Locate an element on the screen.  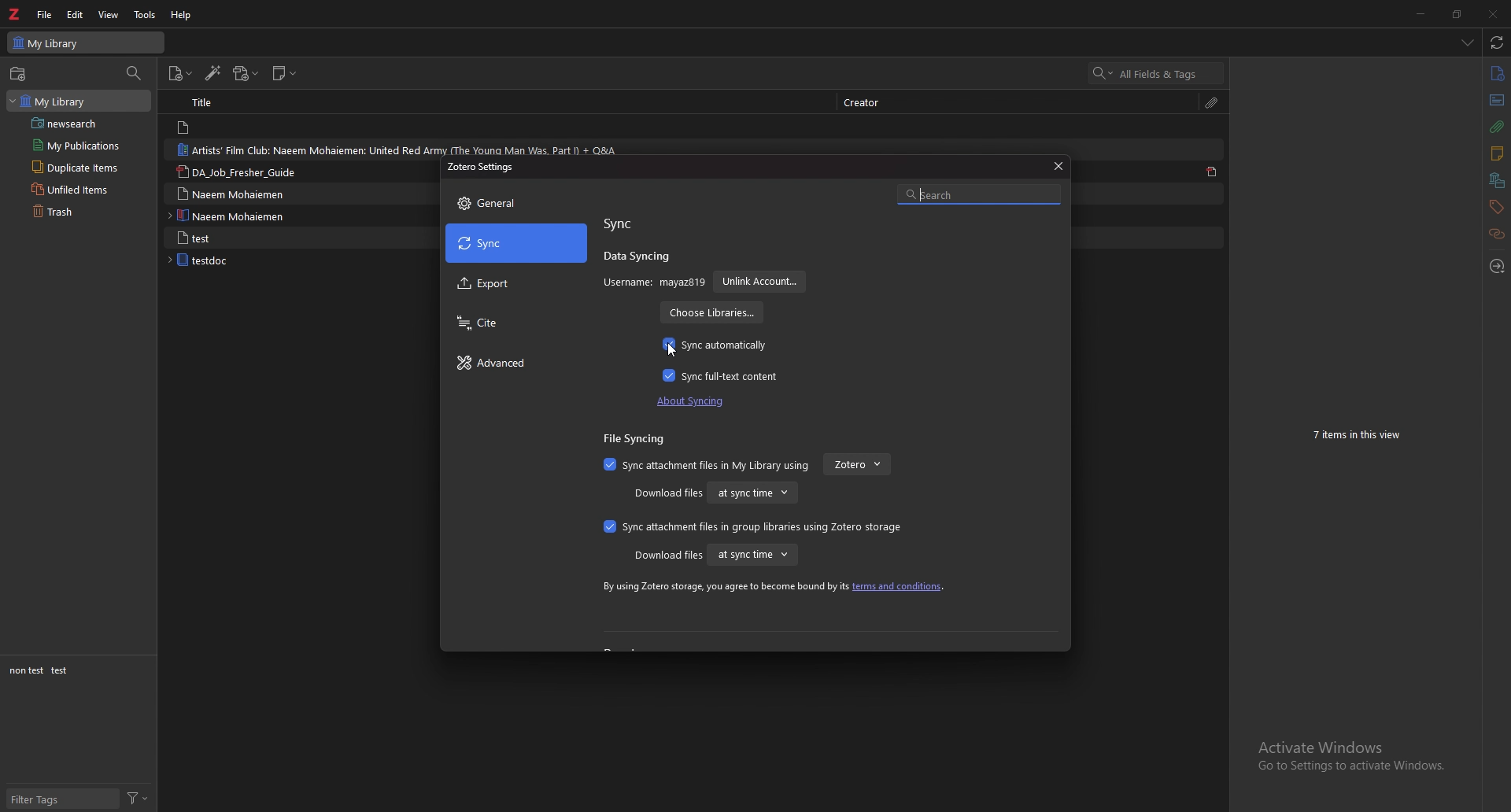
at sync time is located at coordinates (752, 492).